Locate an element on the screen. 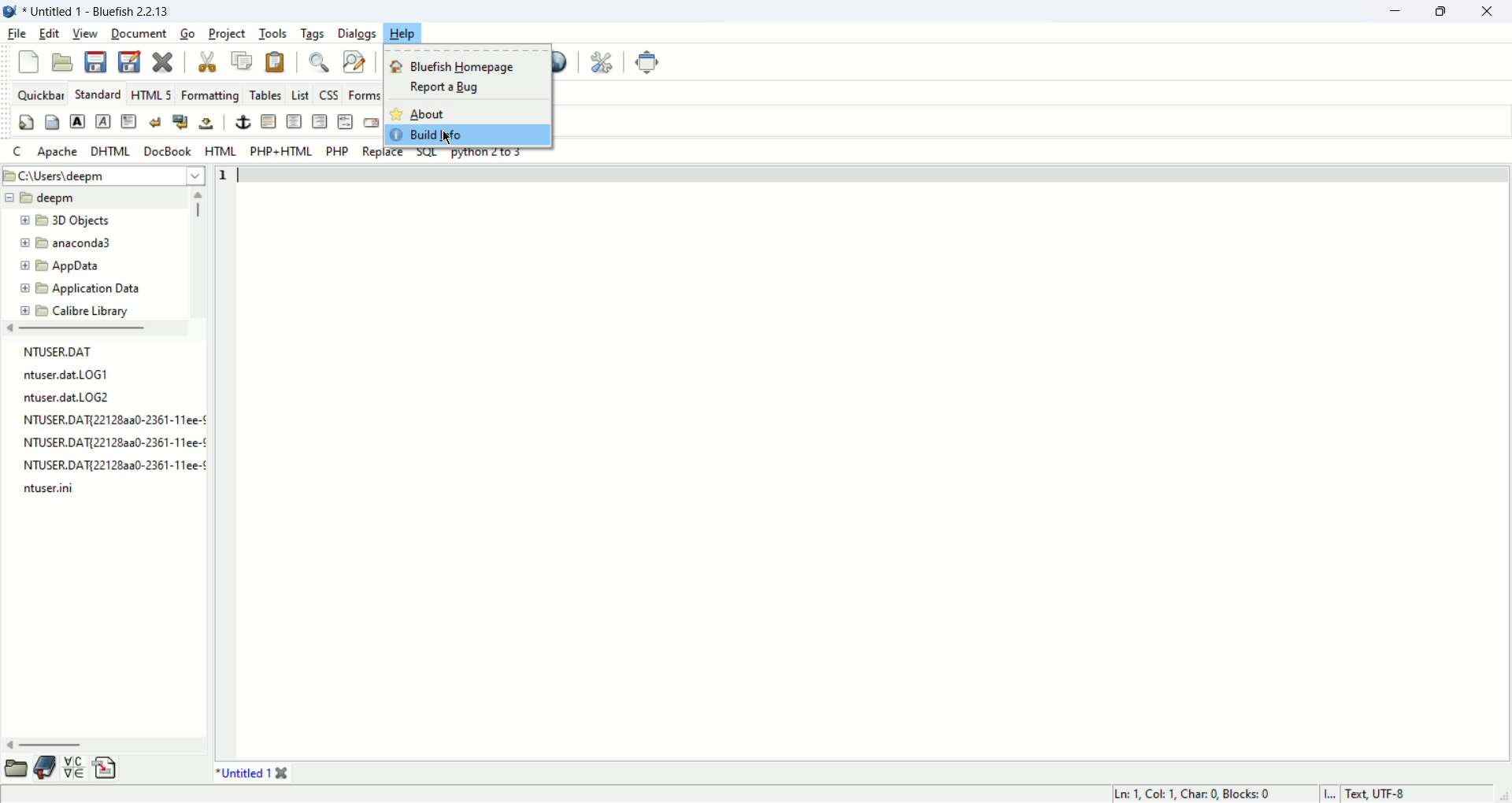  minimize is located at coordinates (1399, 12).